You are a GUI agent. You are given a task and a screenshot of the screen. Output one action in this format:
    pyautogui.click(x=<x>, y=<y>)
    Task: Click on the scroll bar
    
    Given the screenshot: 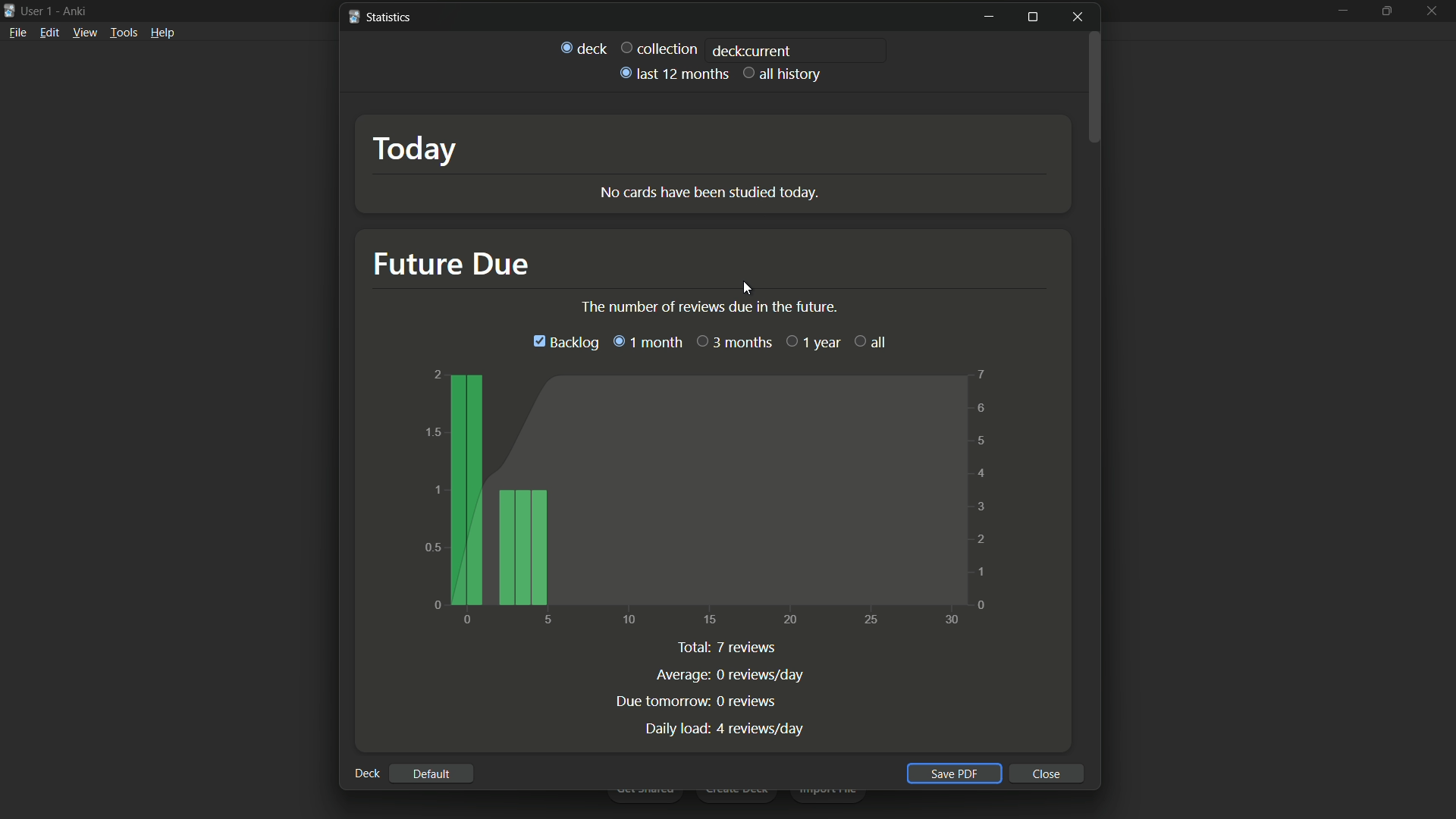 What is the action you would take?
    pyautogui.click(x=1094, y=87)
    